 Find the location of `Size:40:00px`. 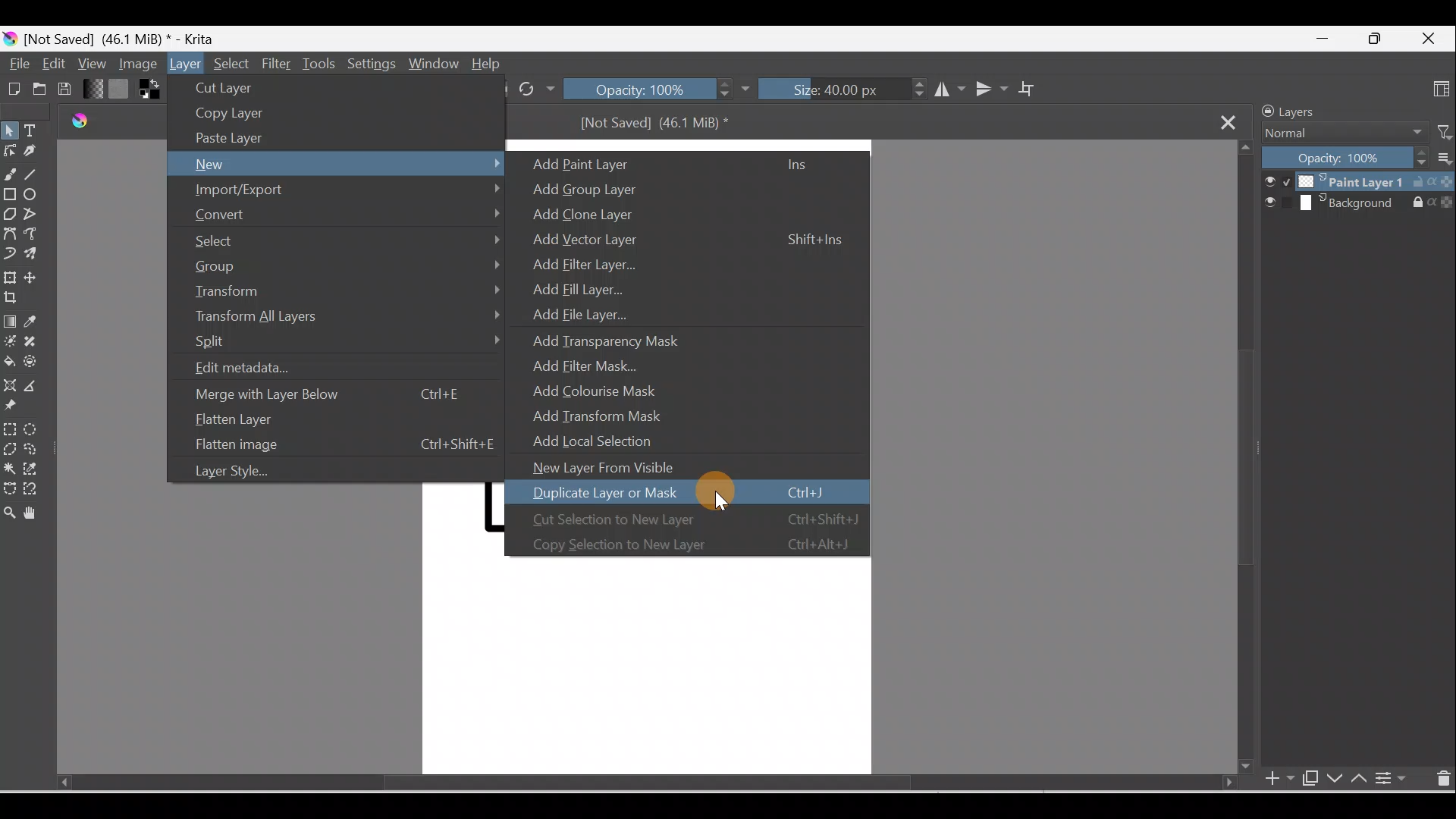

Size:40:00px is located at coordinates (841, 91).